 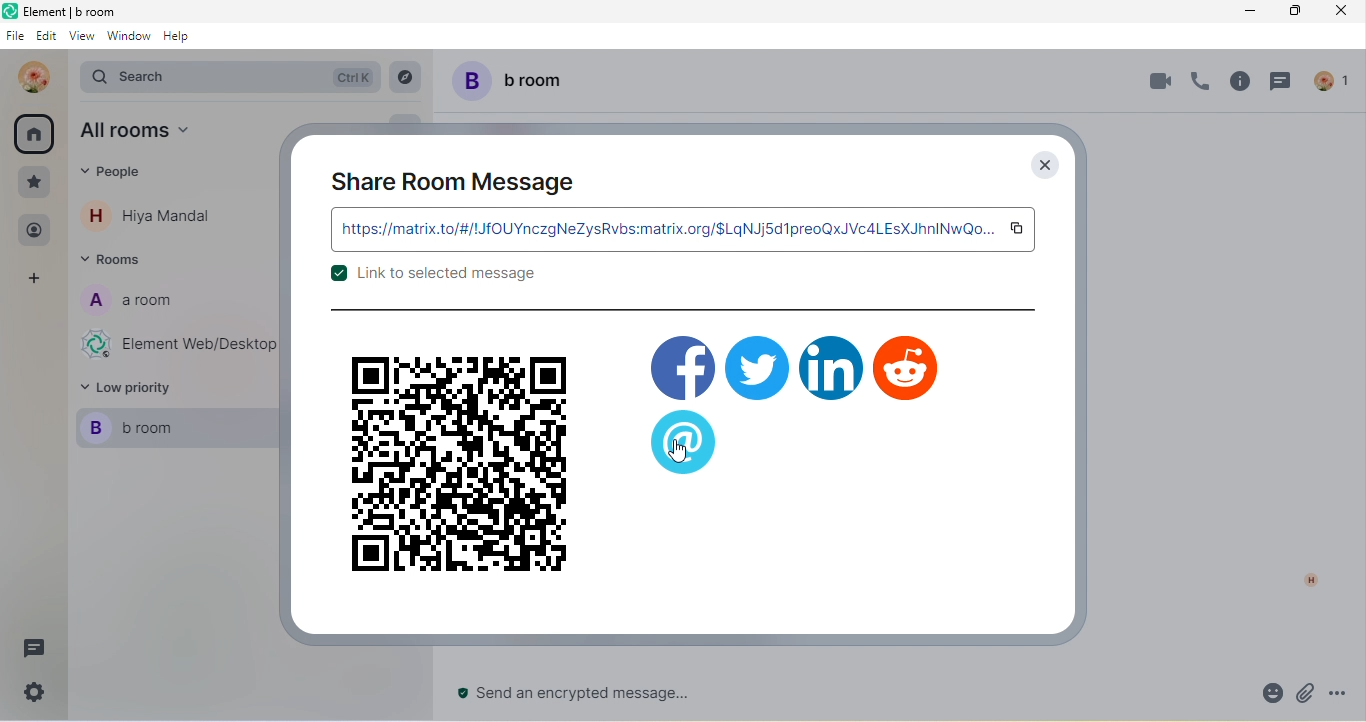 What do you see at coordinates (757, 366) in the screenshot?
I see `twitter` at bounding box center [757, 366].